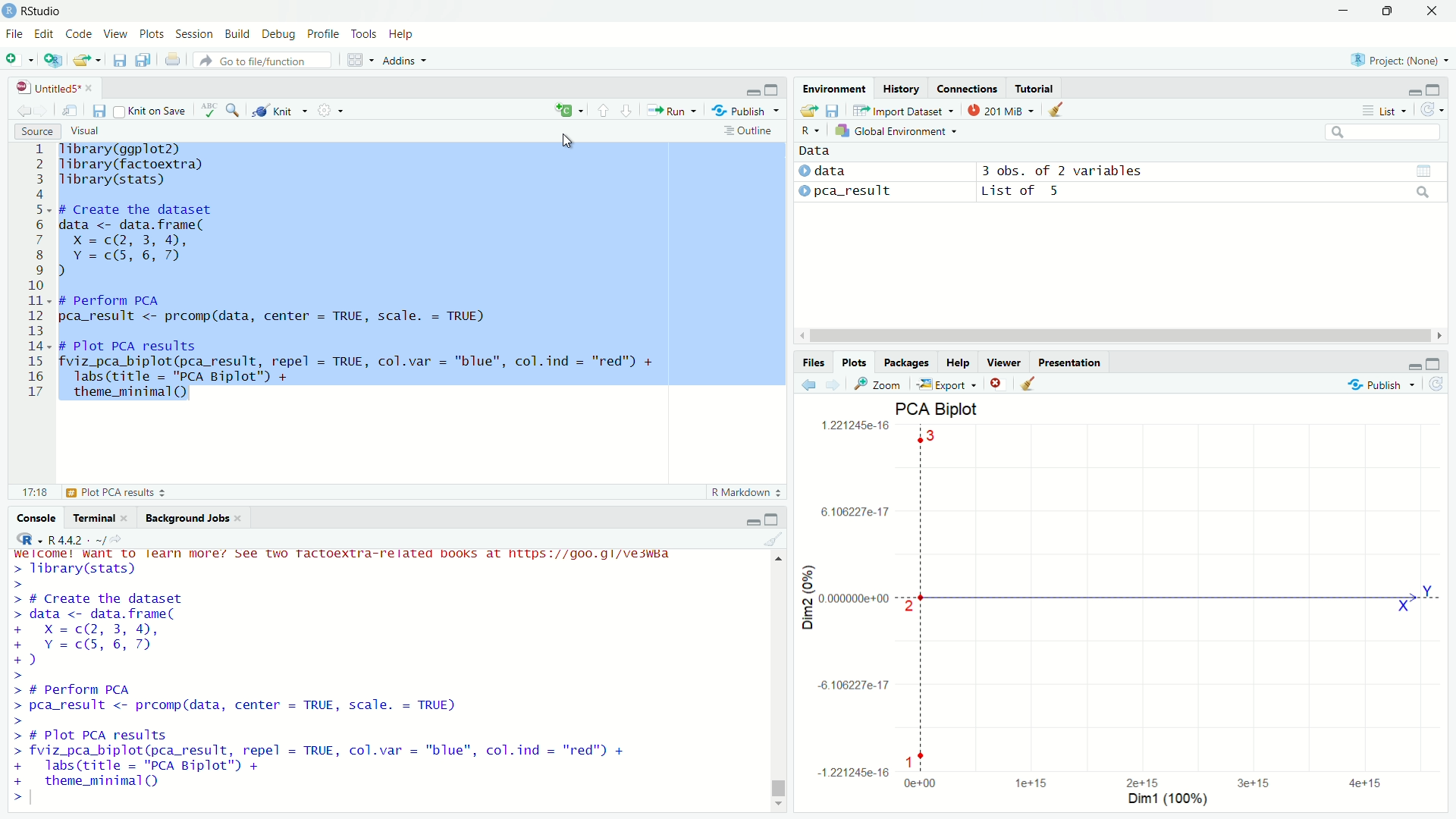  Describe the element at coordinates (82, 539) in the screenshot. I see `R language version - 4.4.2` at that location.